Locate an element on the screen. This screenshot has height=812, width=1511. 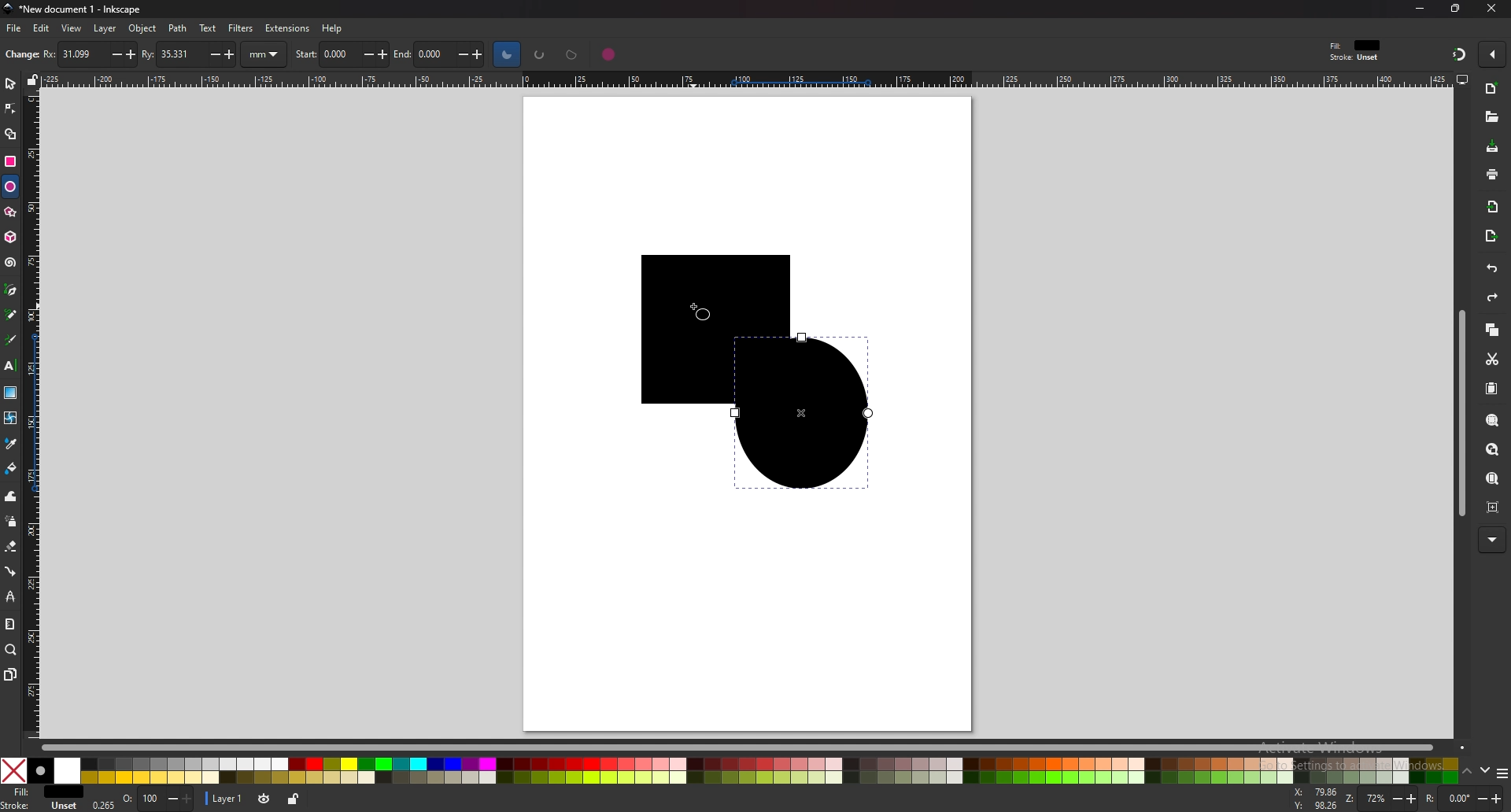
scroll bar is located at coordinates (1459, 412).